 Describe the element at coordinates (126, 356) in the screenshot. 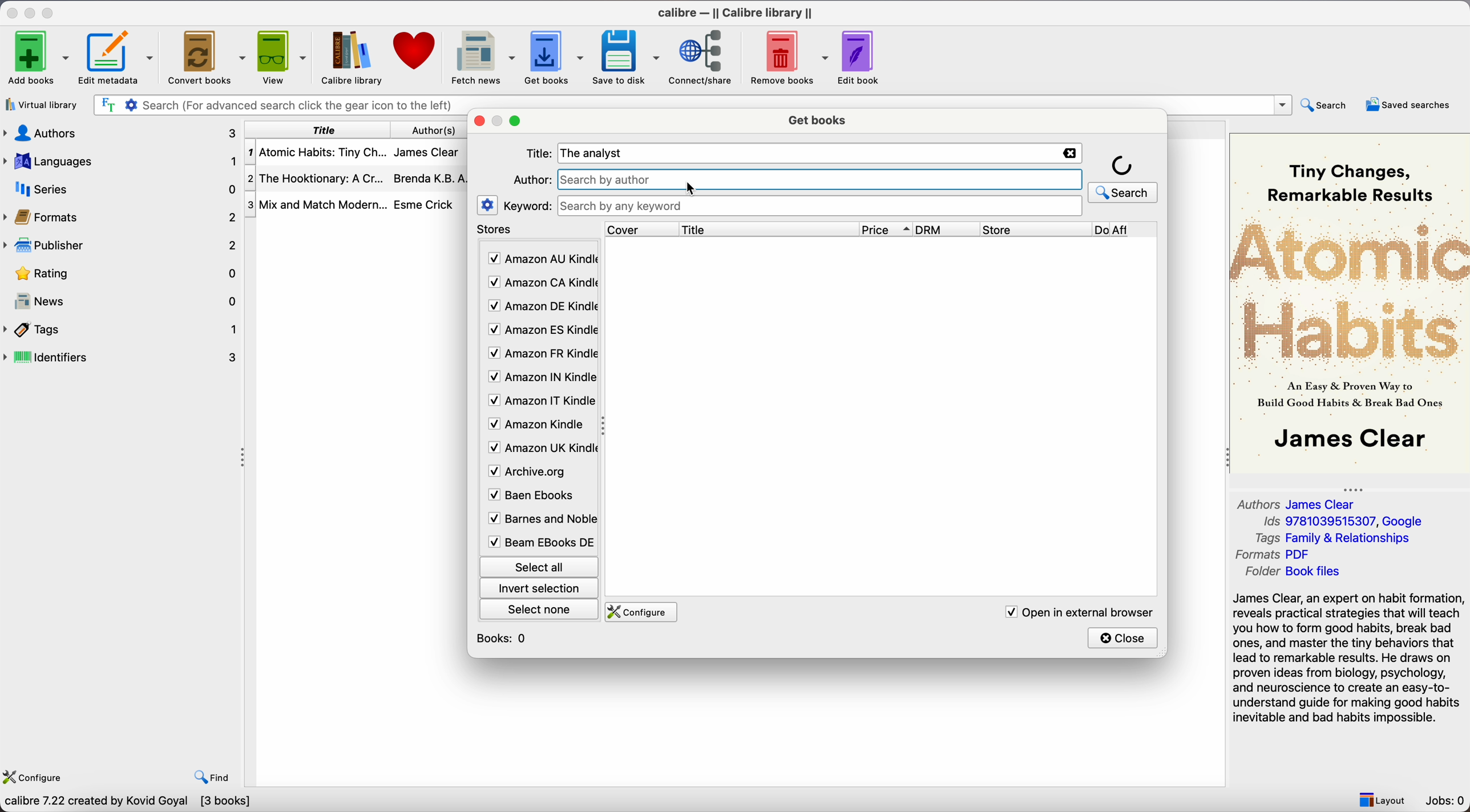

I see `identifiers` at that location.